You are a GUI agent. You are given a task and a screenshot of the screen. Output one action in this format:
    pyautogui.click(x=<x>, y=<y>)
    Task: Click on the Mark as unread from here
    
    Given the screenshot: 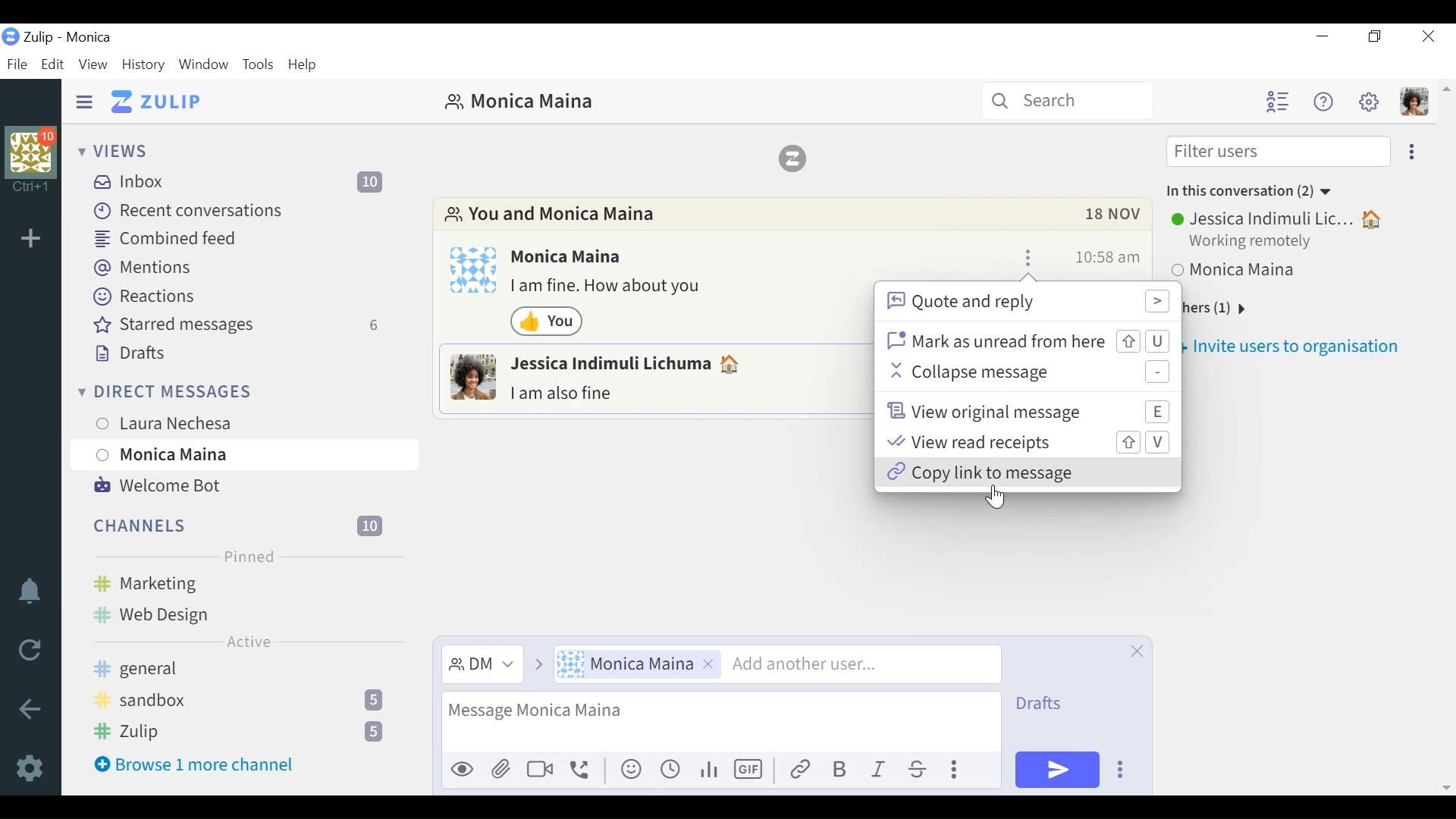 What is the action you would take?
    pyautogui.click(x=1026, y=340)
    